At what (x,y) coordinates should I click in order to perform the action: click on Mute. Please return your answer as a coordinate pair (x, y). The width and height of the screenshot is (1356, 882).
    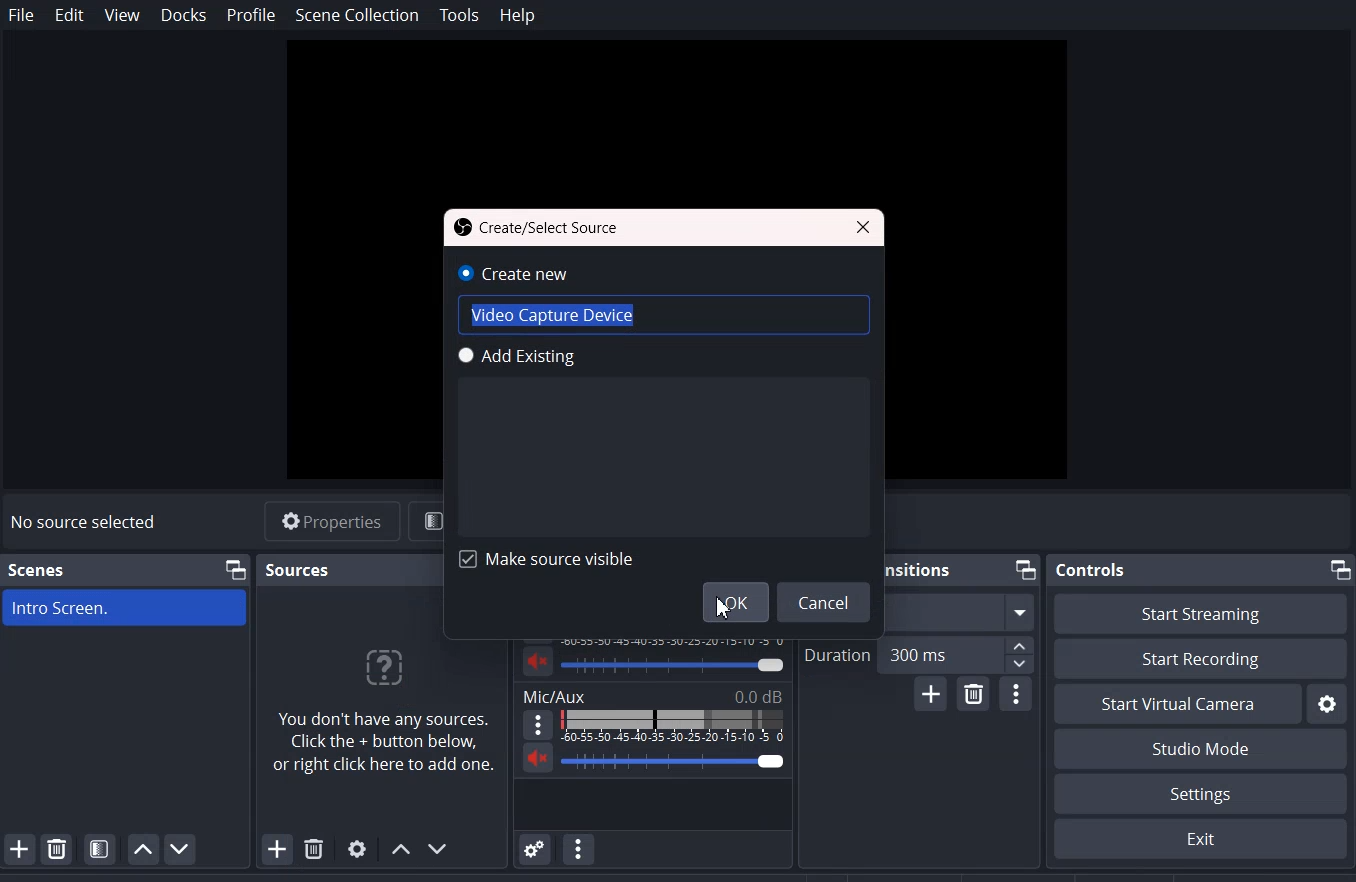
    Looking at the image, I should click on (536, 661).